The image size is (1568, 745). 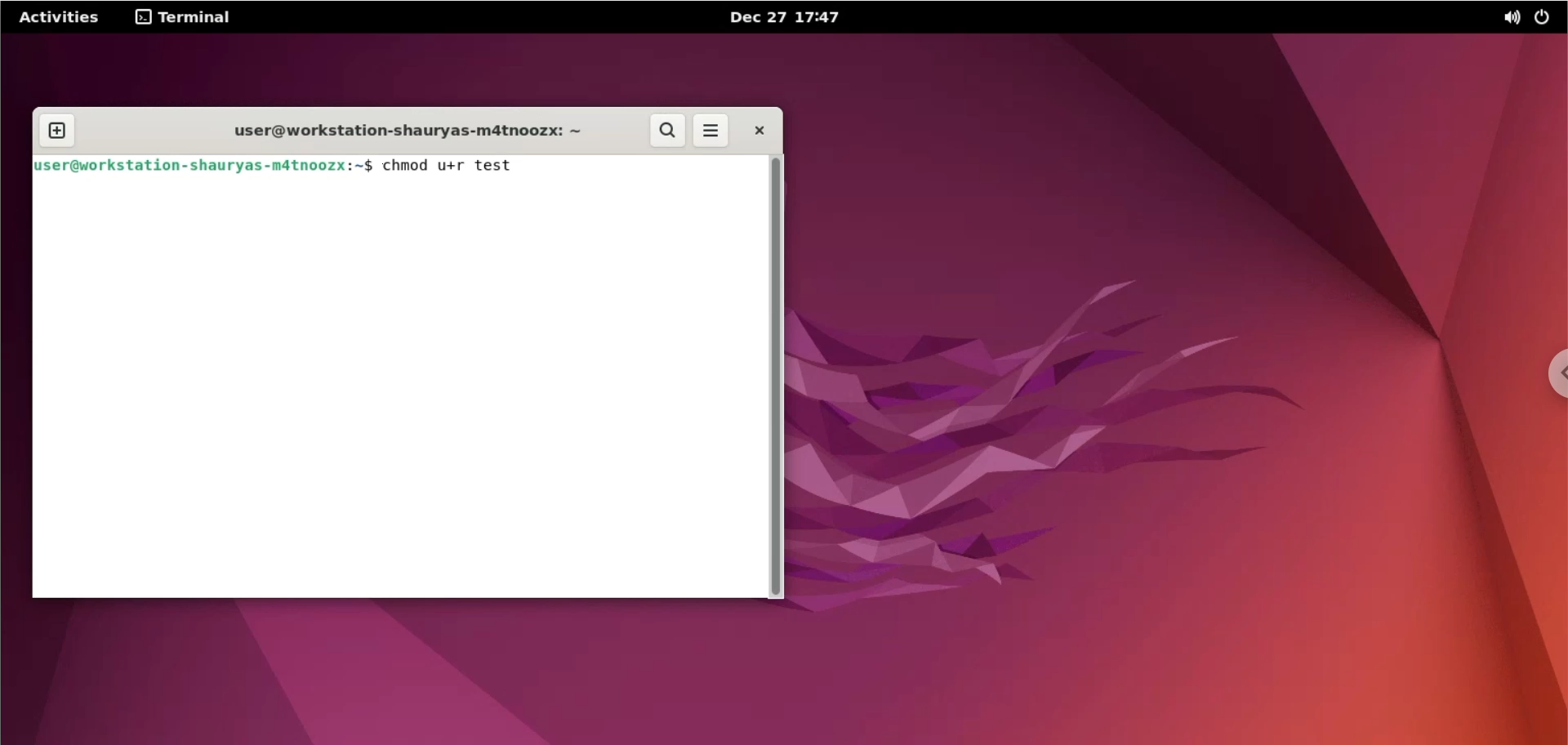 What do you see at coordinates (400, 127) in the screenshot?
I see `user@workstation-shauryas-m4tnoozx:~` at bounding box center [400, 127].